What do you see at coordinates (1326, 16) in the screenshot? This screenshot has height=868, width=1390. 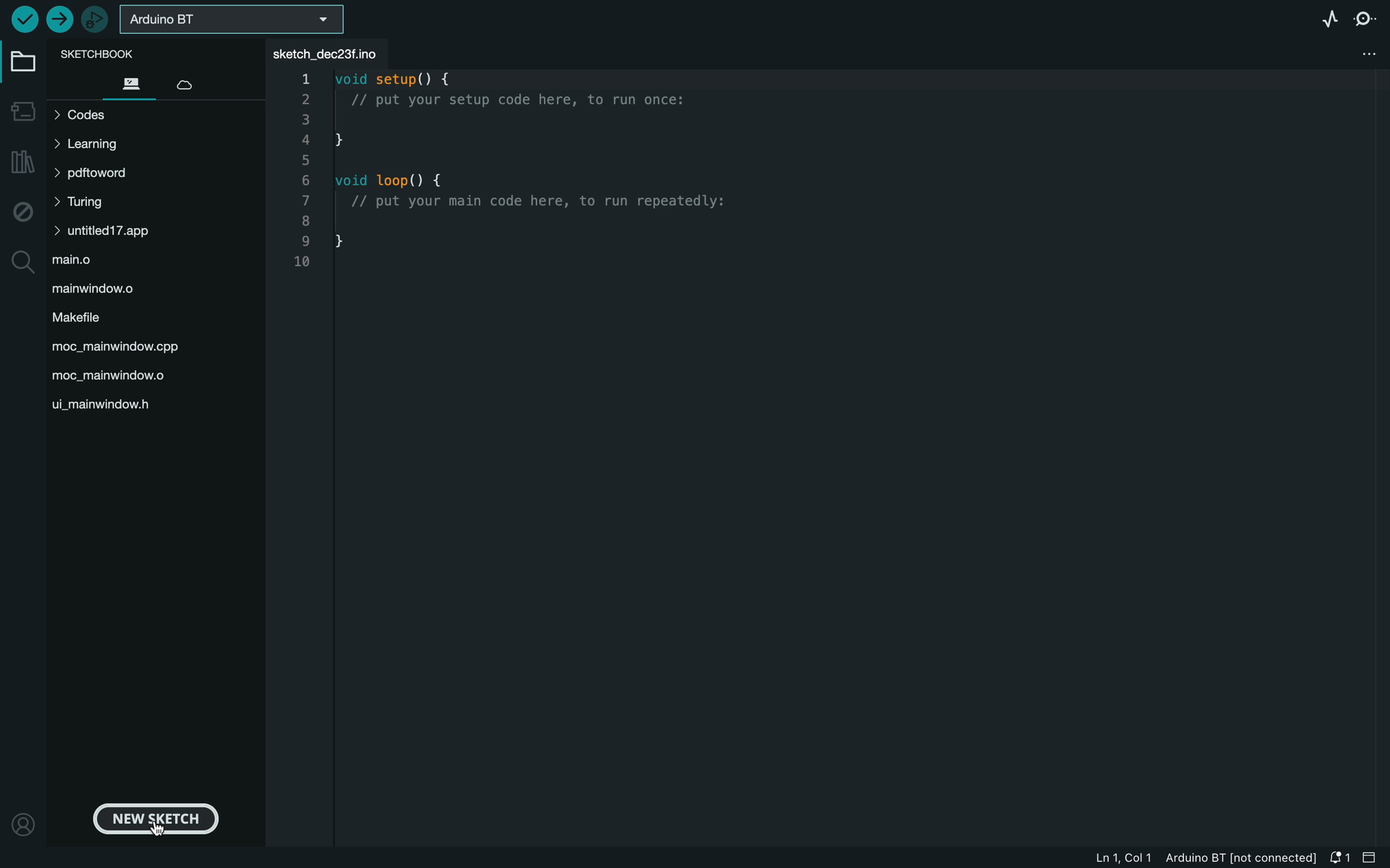 I see `serial plotter` at bounding box center [1326, 16].